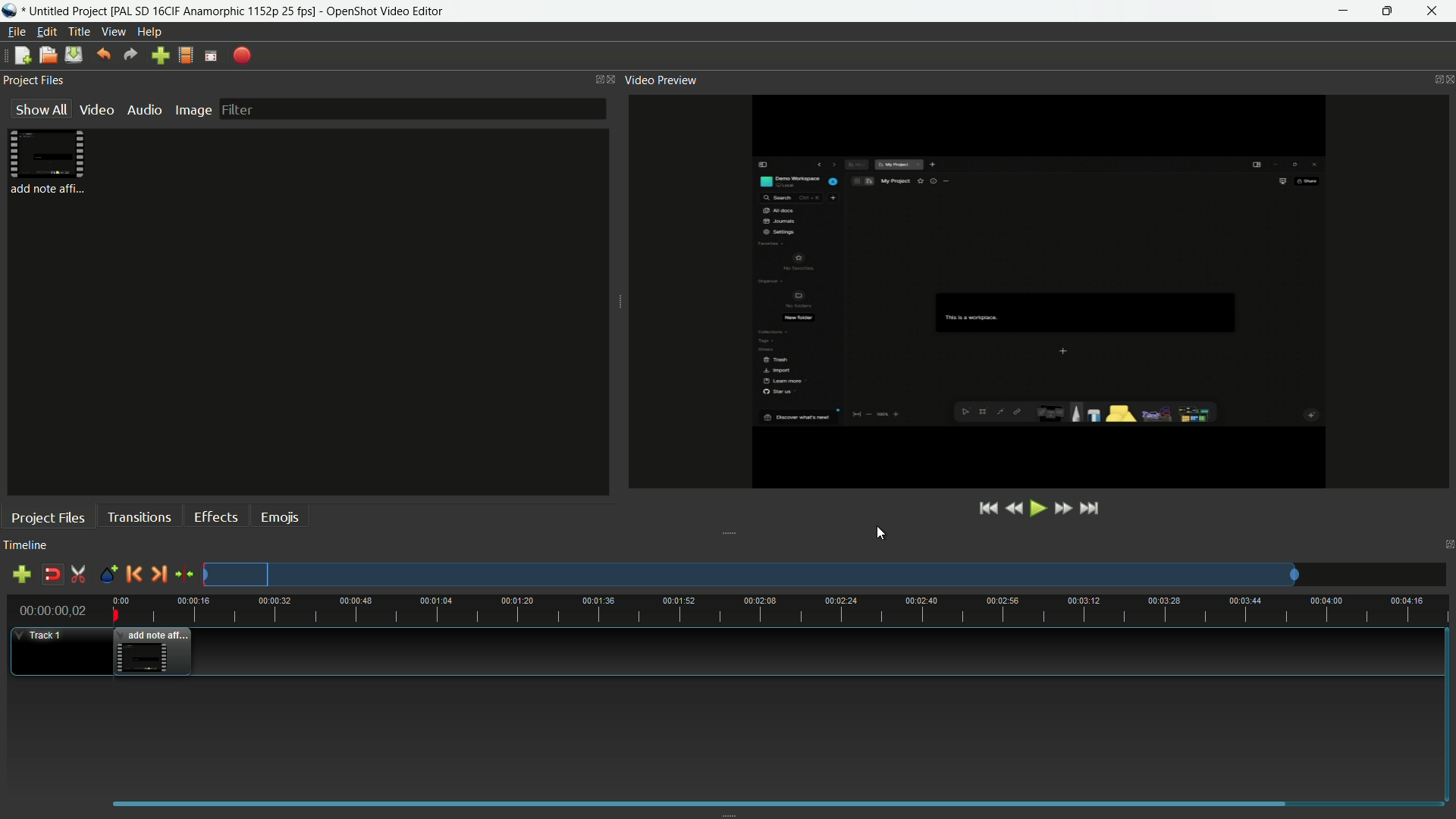 The image size is (1456, 819). I want to click on timeline, so click(26, 547).